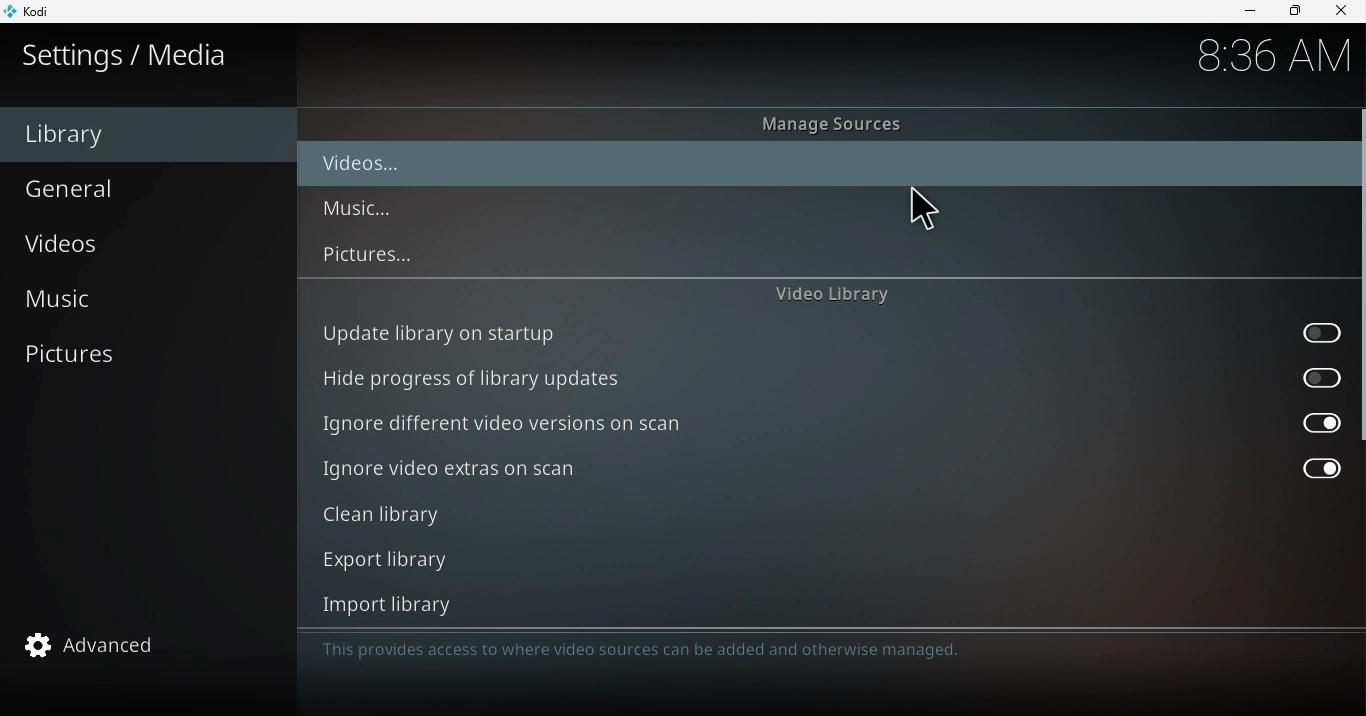 This screenshot has height=716, width=1366. I want to click on Library, so click(145, 134).